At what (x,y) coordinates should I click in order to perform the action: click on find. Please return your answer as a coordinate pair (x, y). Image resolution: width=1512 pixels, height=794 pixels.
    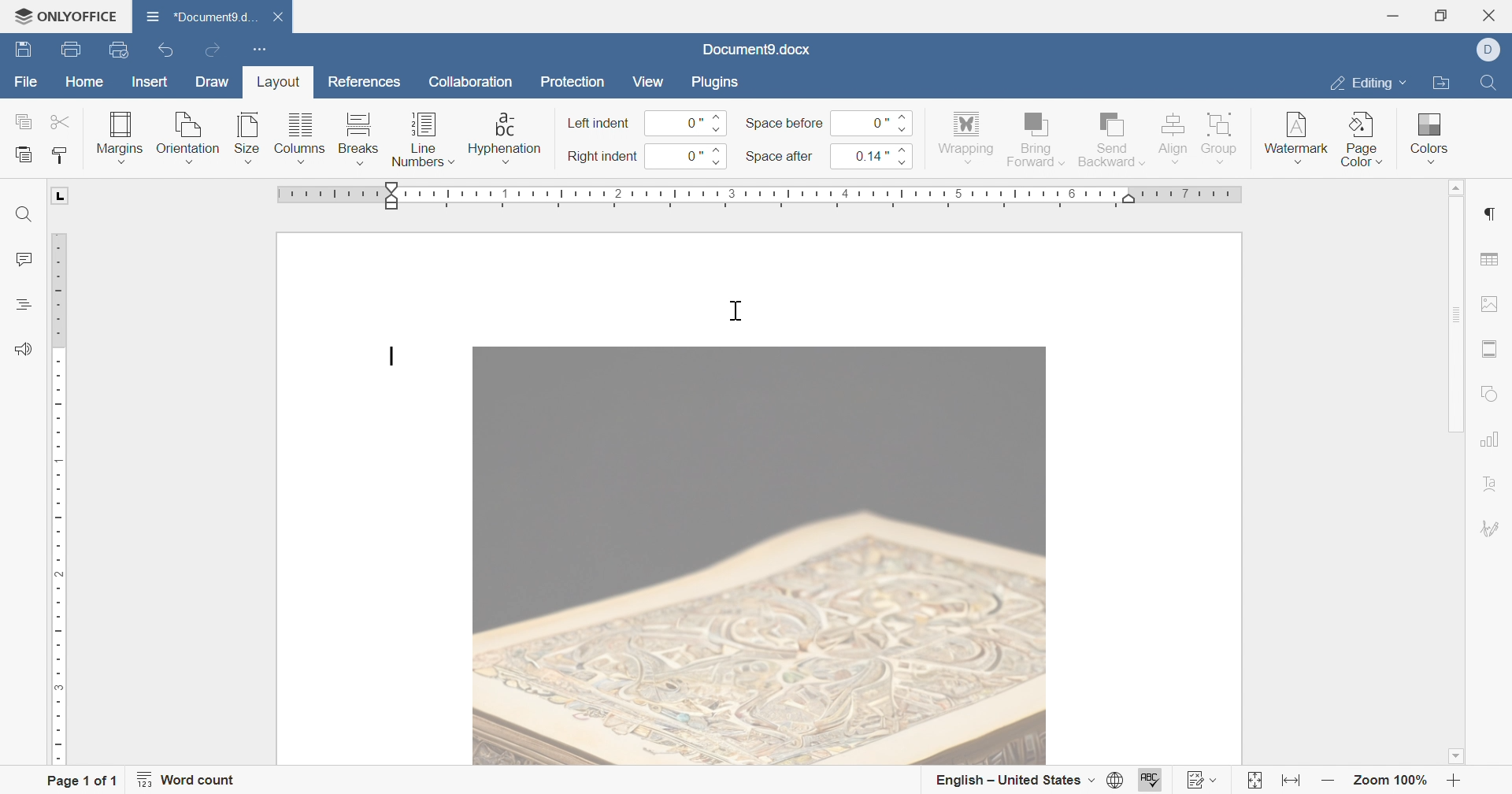
    Looking at the image, I should click on (1487, 80).